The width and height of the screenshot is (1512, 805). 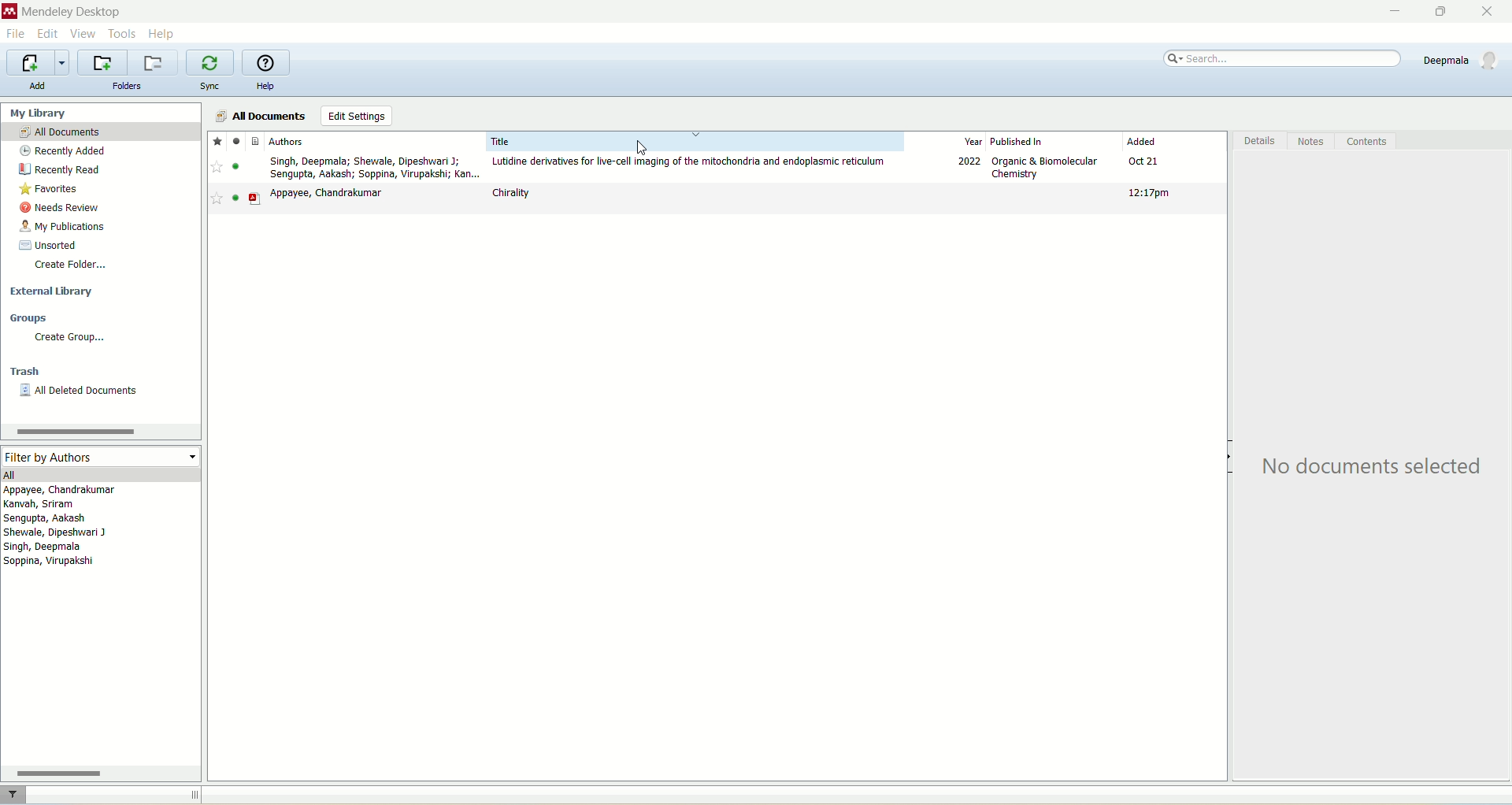 What do you see at coordinates (155, 62) in the screenshot?
I see `remove current folder` at bounding box center [155, 62].